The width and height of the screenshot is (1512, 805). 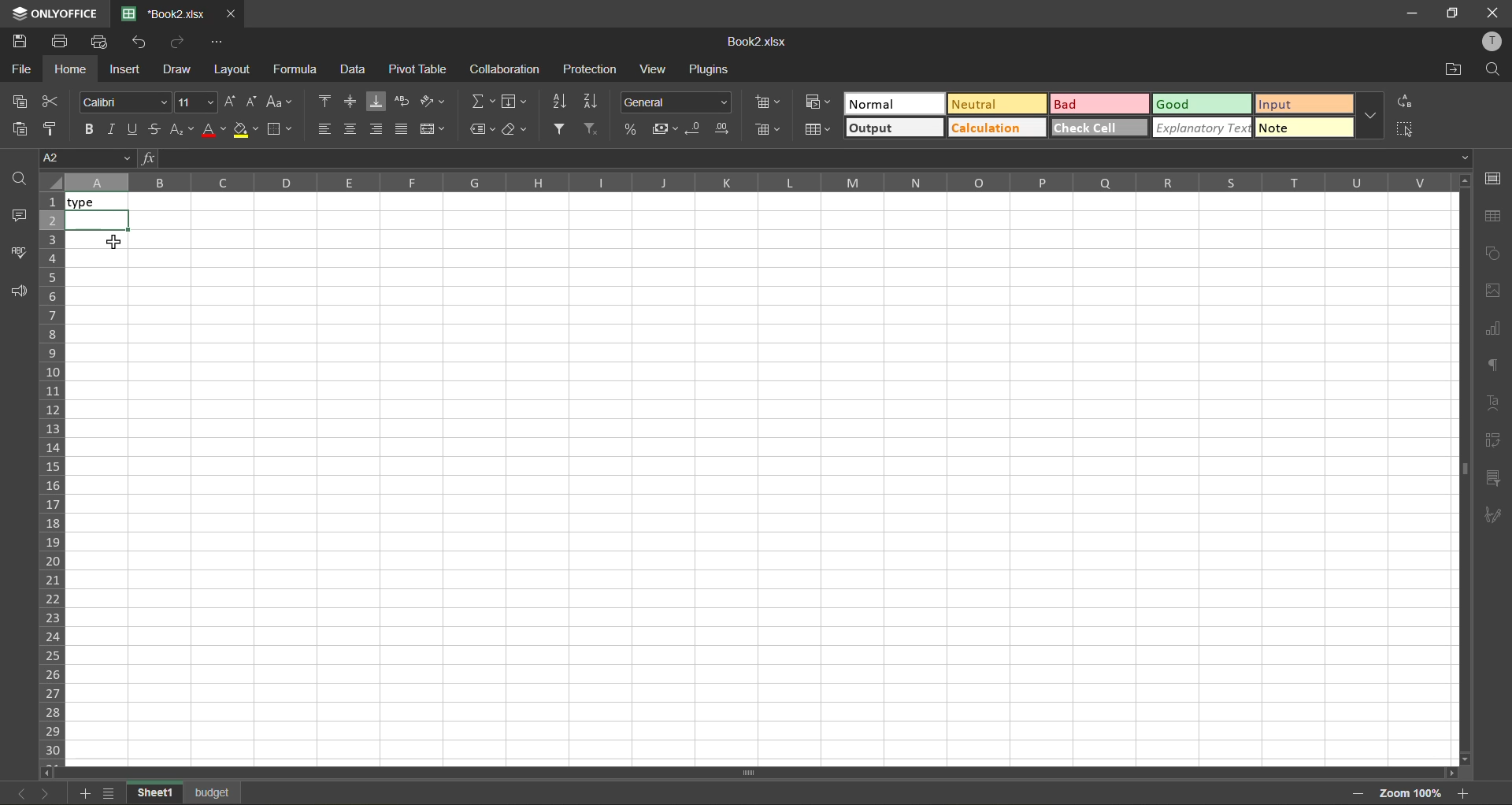 What do you see at coordinates (594, 101) in the screenshot?
I see `sort descending` at bounding box center [594, 101].